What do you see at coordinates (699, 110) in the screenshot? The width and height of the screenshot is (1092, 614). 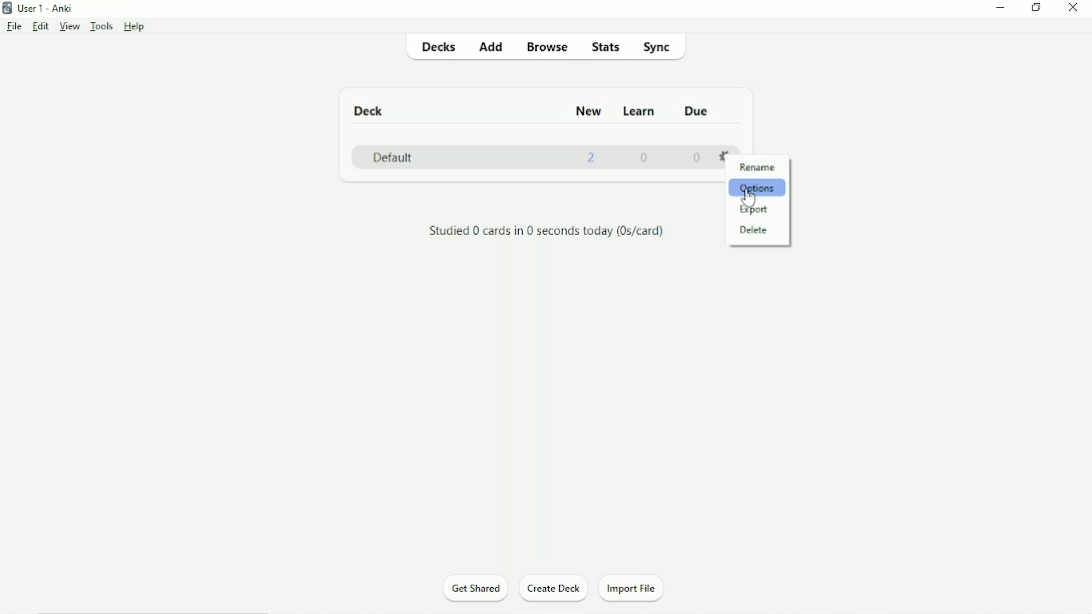 I see `Due` at bounding box center [699, 110].